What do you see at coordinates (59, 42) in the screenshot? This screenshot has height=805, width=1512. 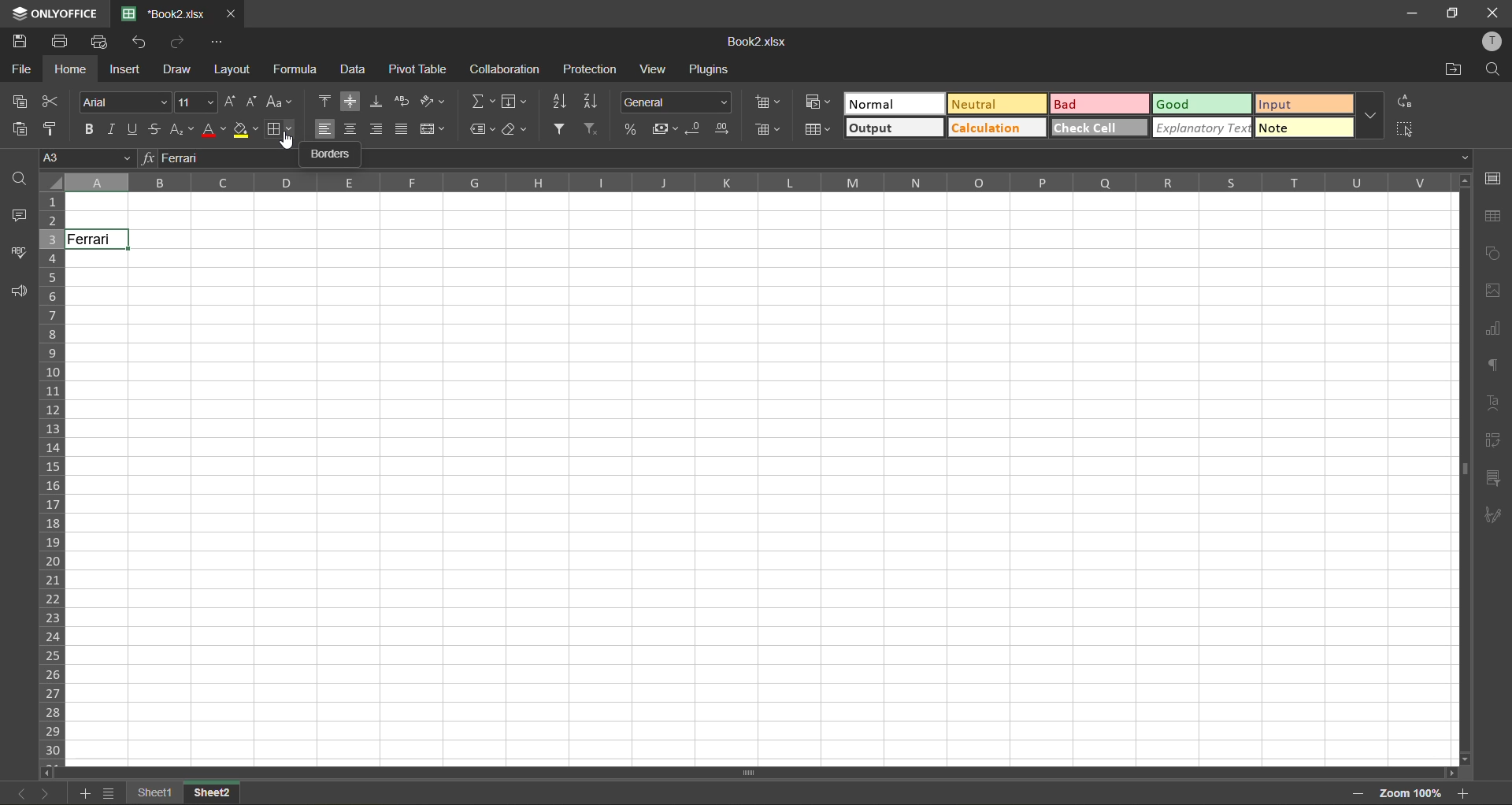 I see `print` at bounding box center [59, 42].